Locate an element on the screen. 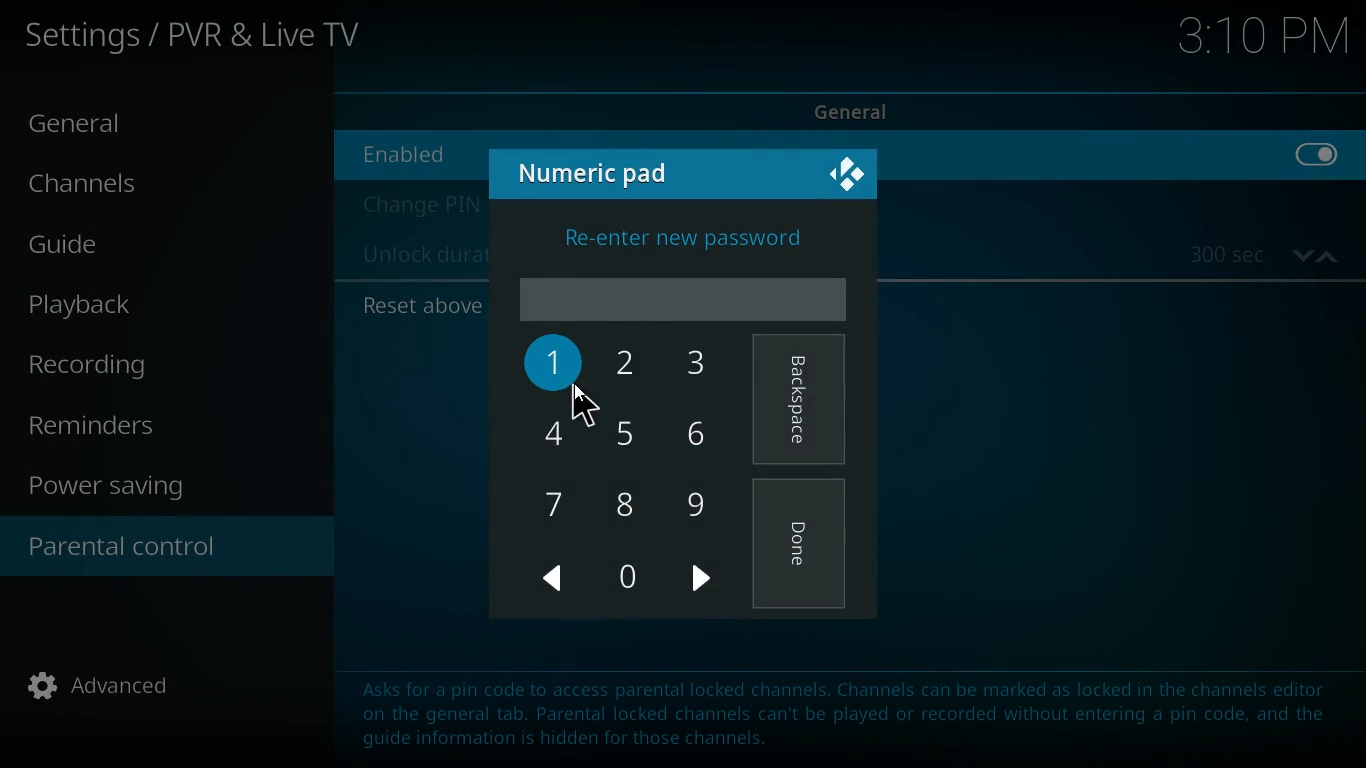 This screenshot has width=1366, height=768. 9 is located at coordinates (700, 508).